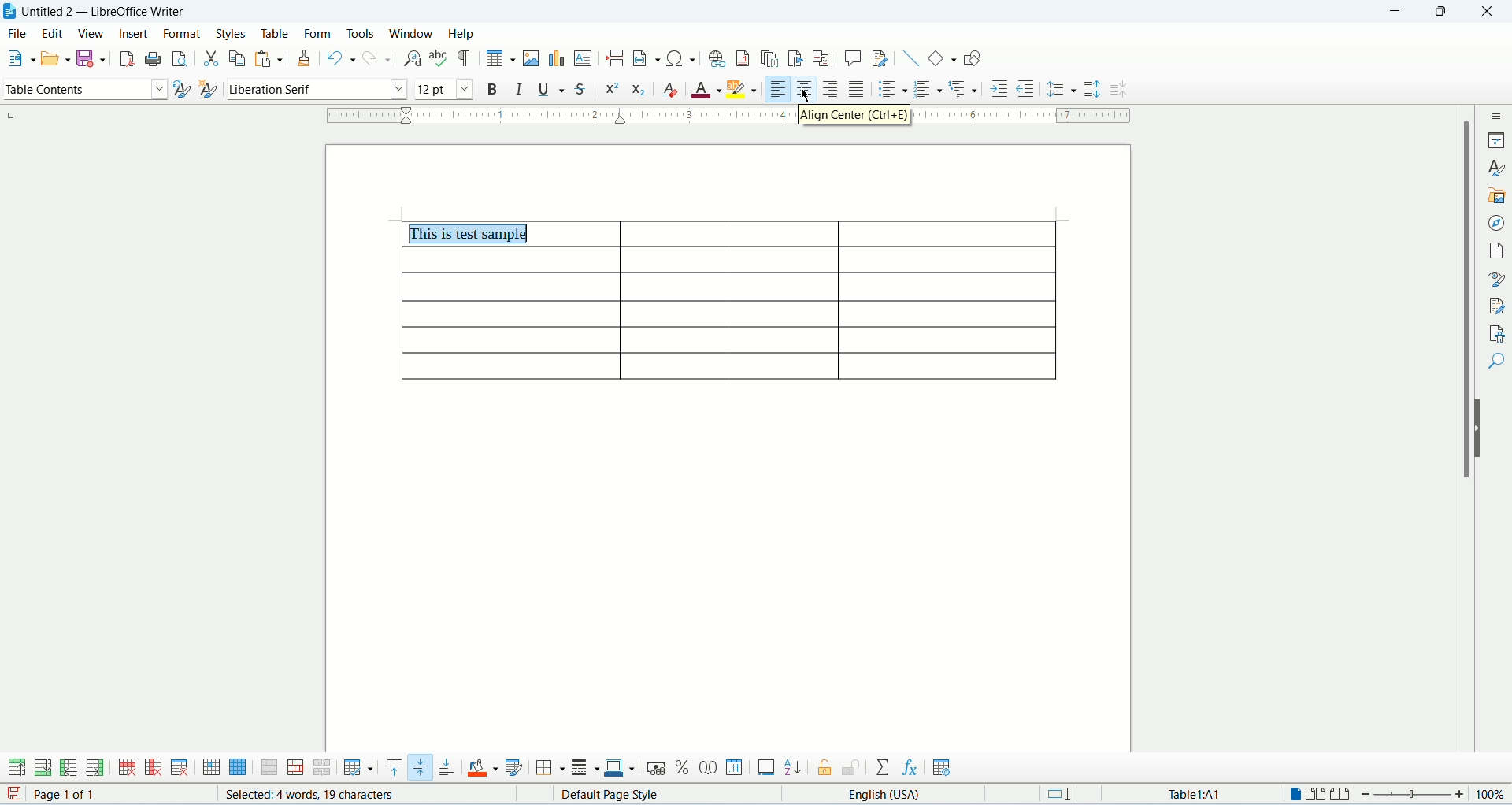 Image resolution: width=1512 pixels, height=805 pixels. Describe the element at coordinates (1498, 306) in the screenshot. I see `manage changes` at that location.